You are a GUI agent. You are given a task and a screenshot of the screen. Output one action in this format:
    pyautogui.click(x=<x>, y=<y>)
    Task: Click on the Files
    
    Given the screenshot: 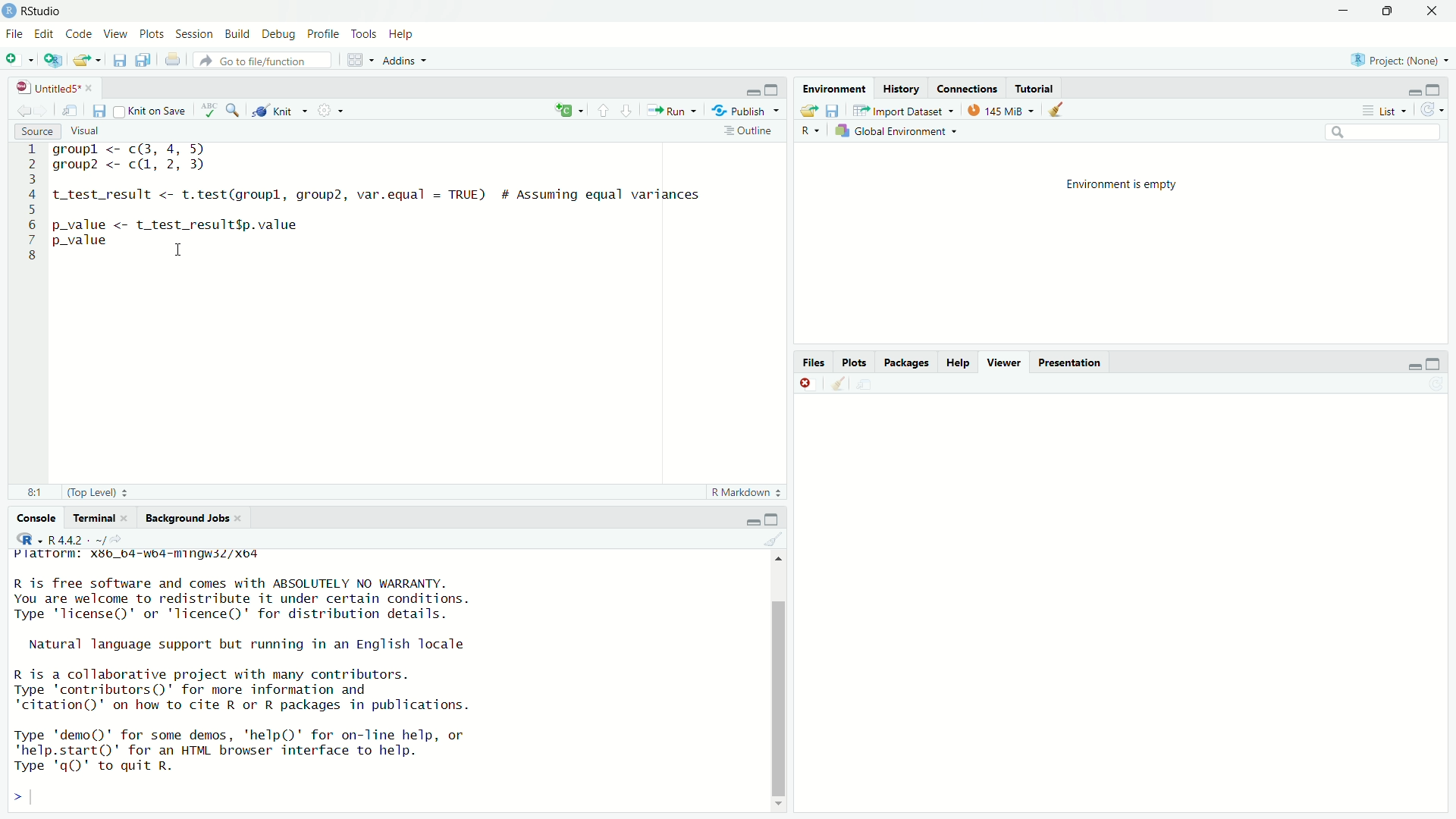 What is the action you would take?
    pyautogui.click(x=814, y=362)
    